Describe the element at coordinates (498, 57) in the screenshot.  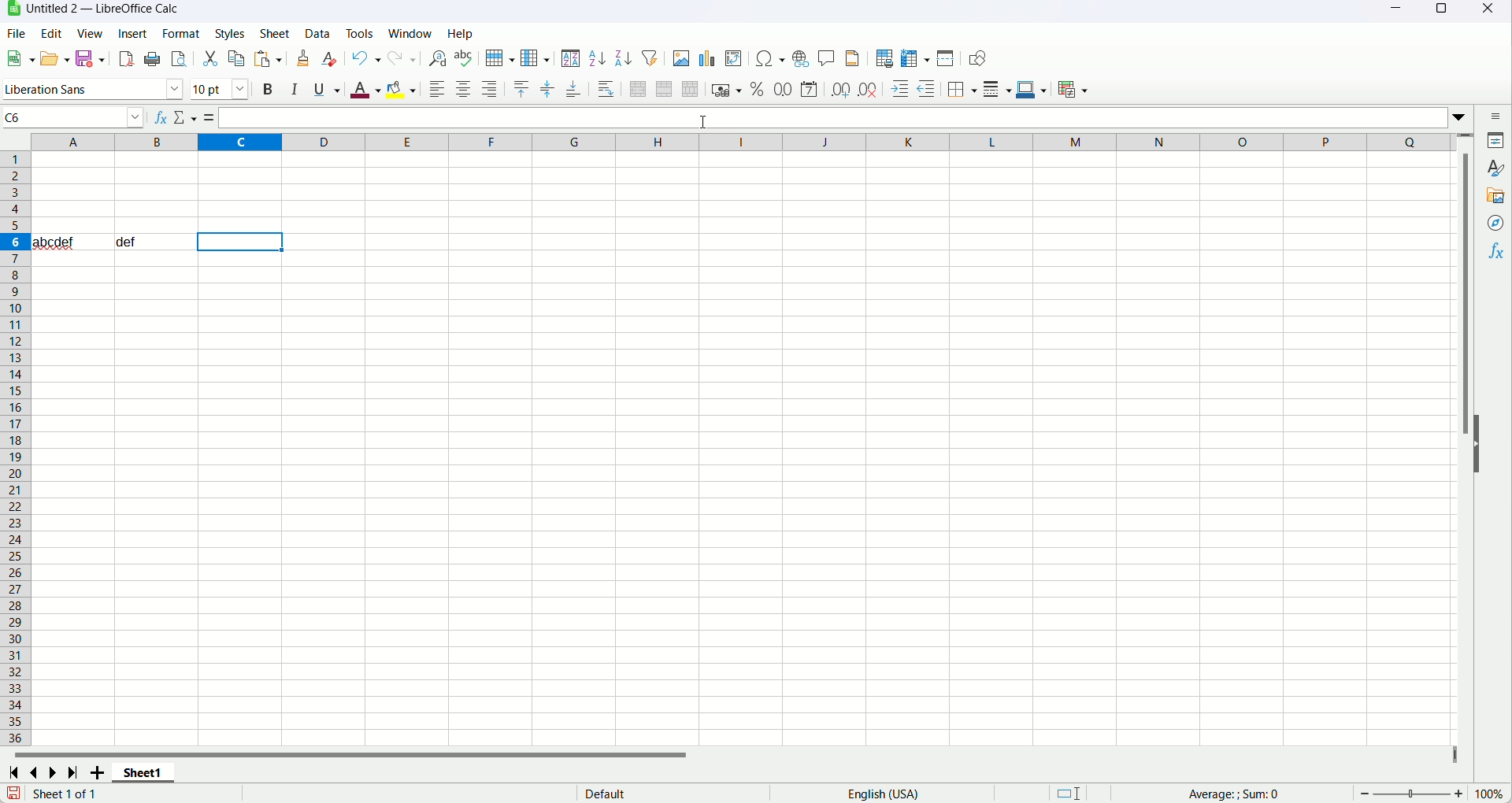
I see `row` at that location.